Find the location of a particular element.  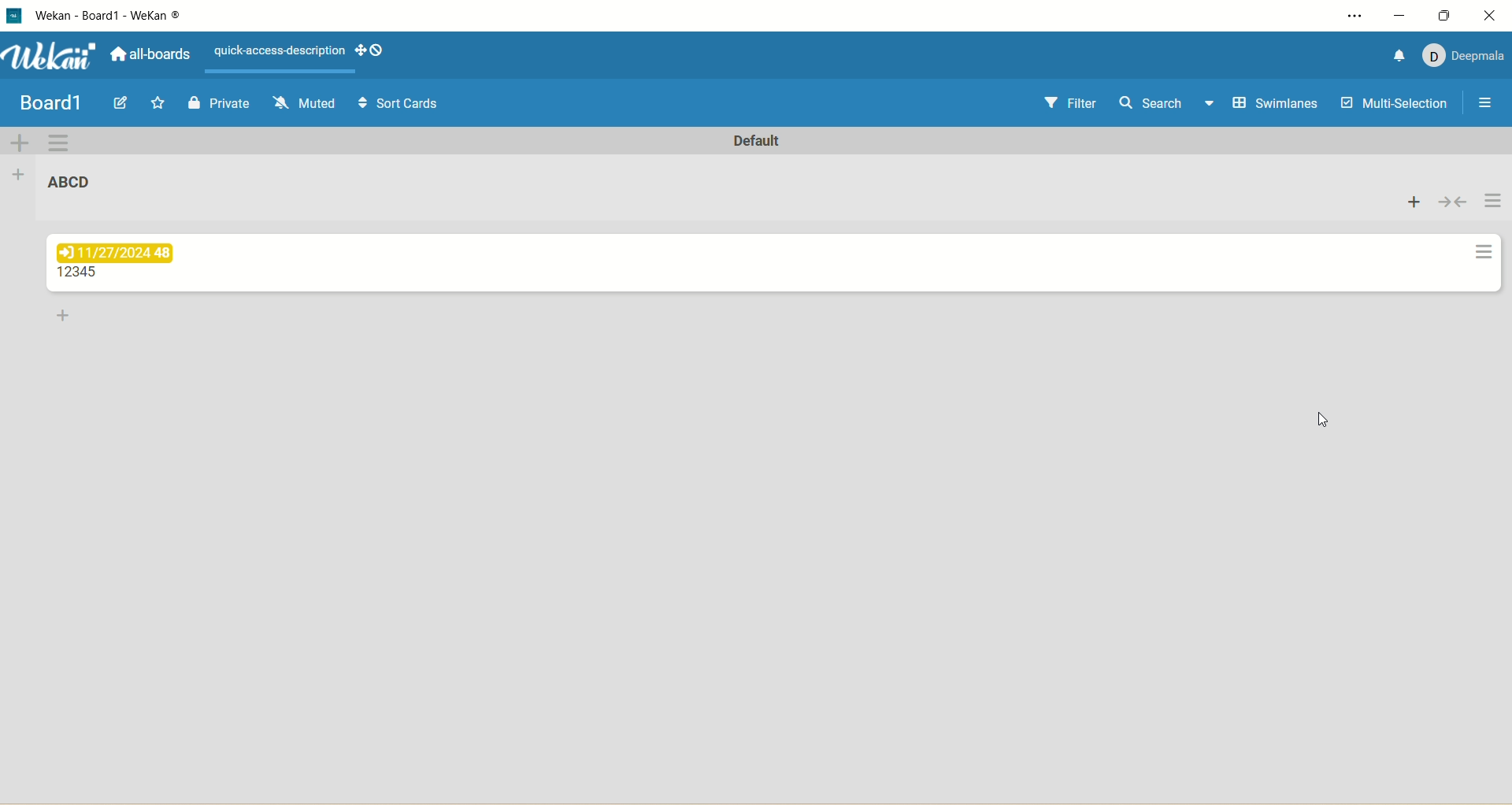

open/close sidebar is located at coordinates (1488, 106).